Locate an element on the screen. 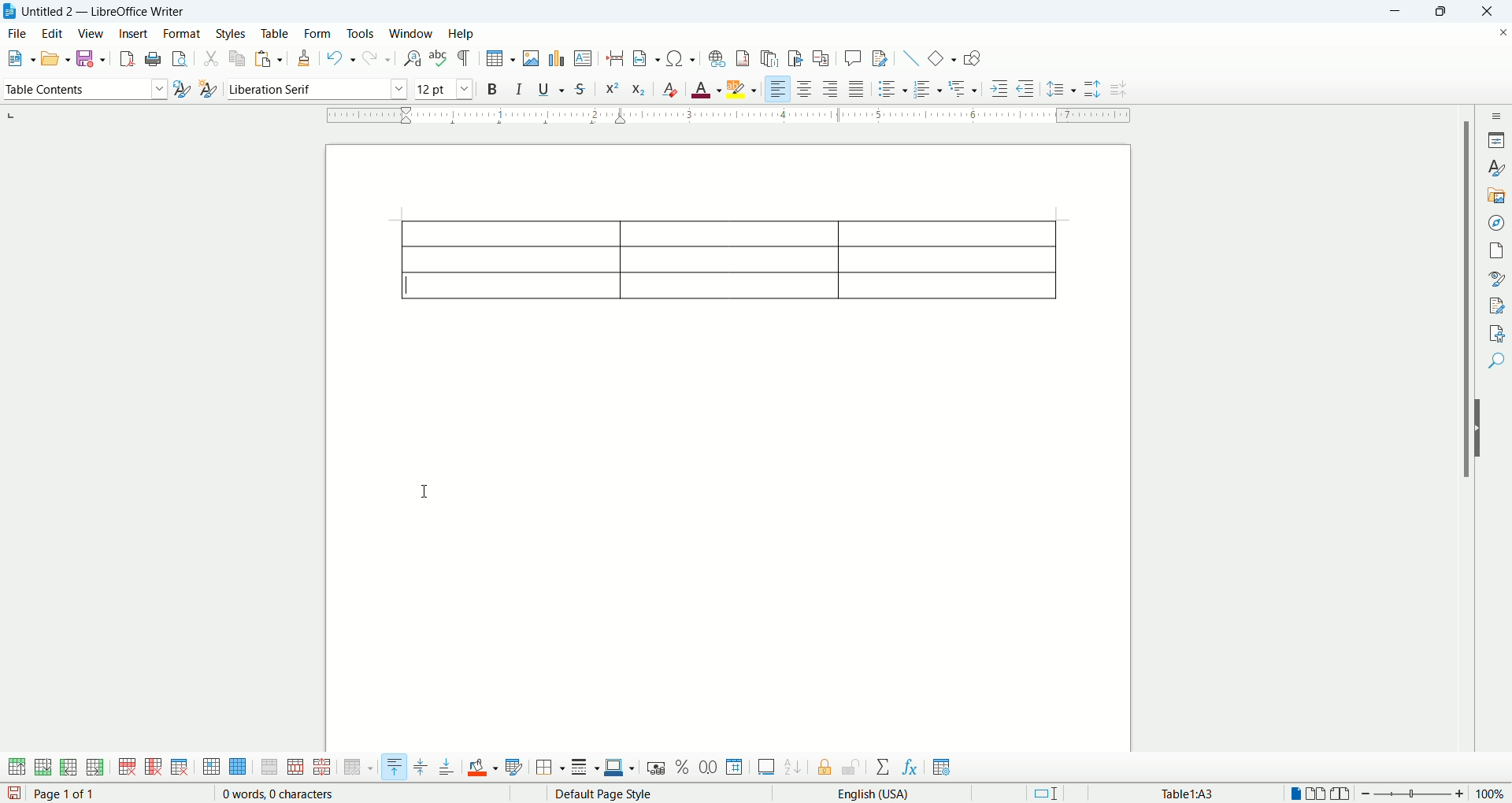 The image size is (1512, 803). delete row is located at coordinates (127, 766).